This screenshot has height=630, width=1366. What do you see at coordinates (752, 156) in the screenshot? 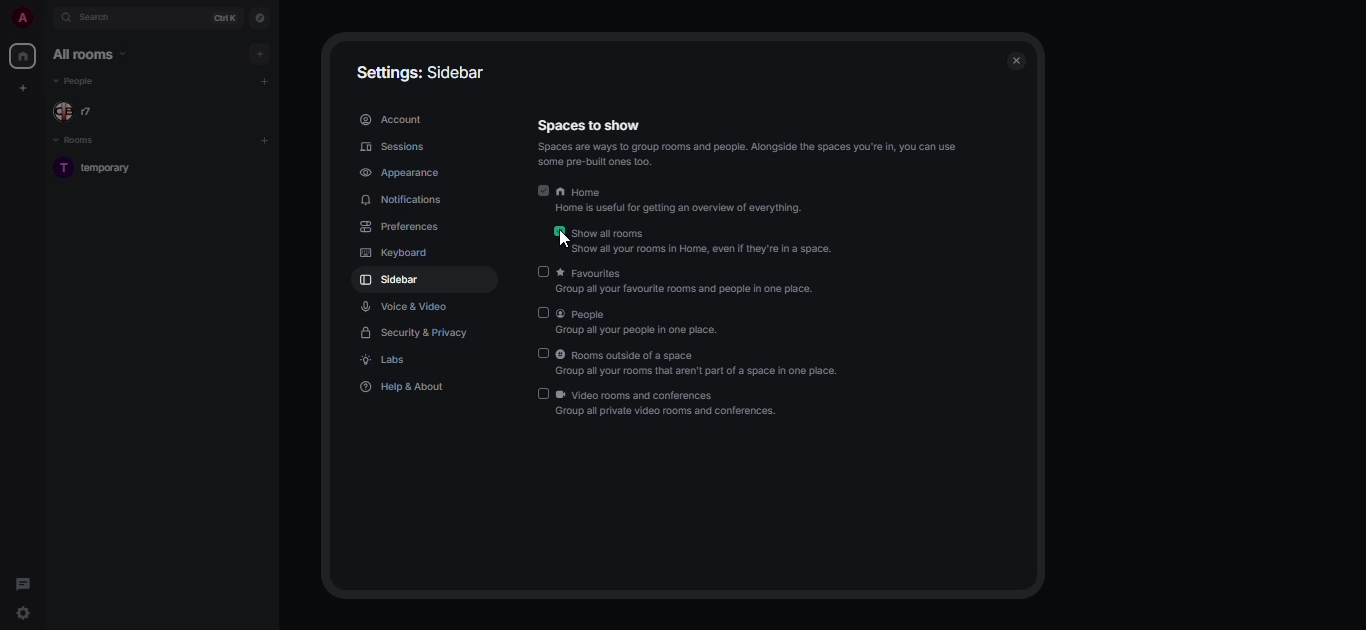
I see `info` at bounding box center [752, 156].